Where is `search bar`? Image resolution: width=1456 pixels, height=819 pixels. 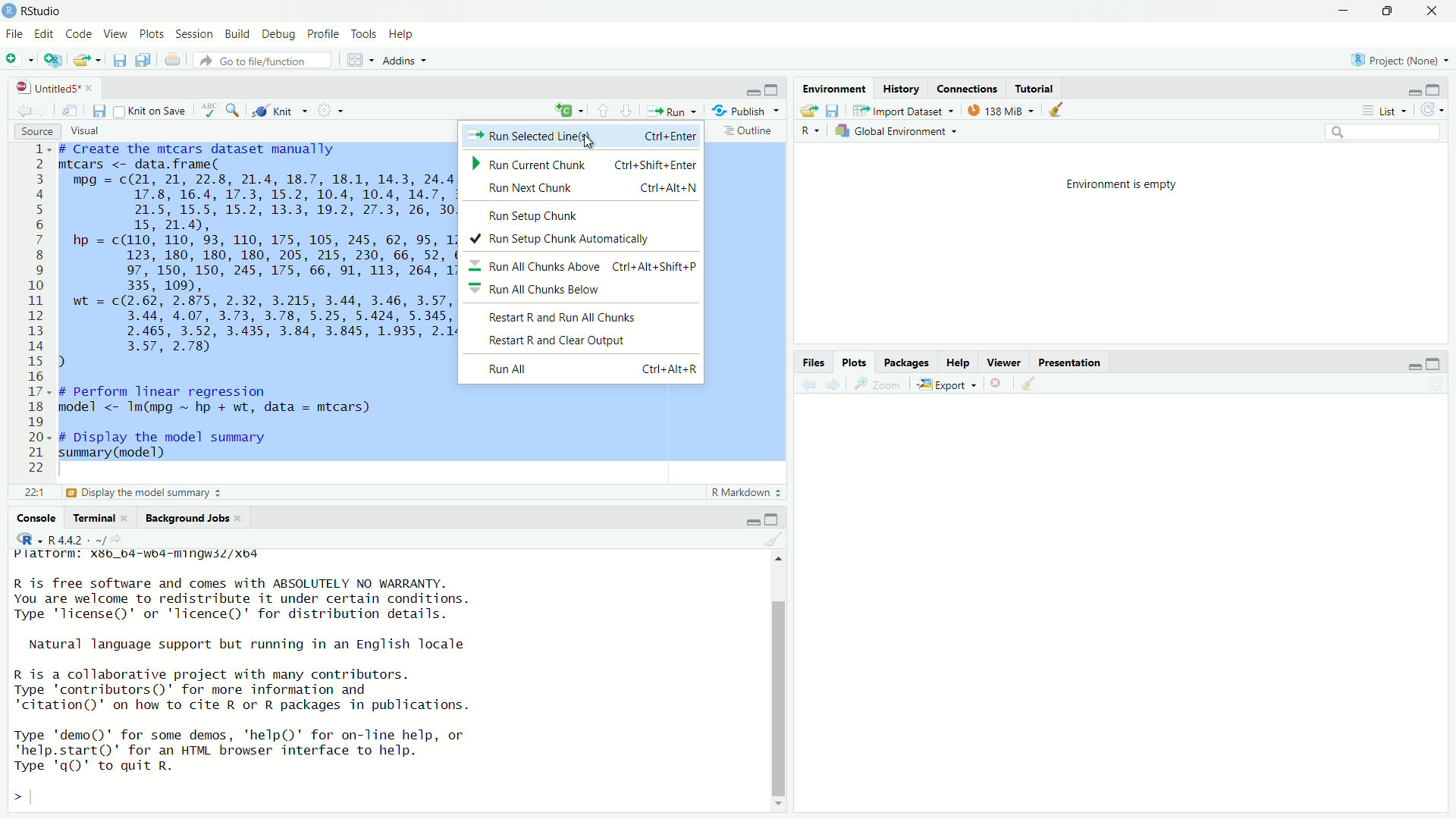
search bar is located at coordinates (1384, 132).